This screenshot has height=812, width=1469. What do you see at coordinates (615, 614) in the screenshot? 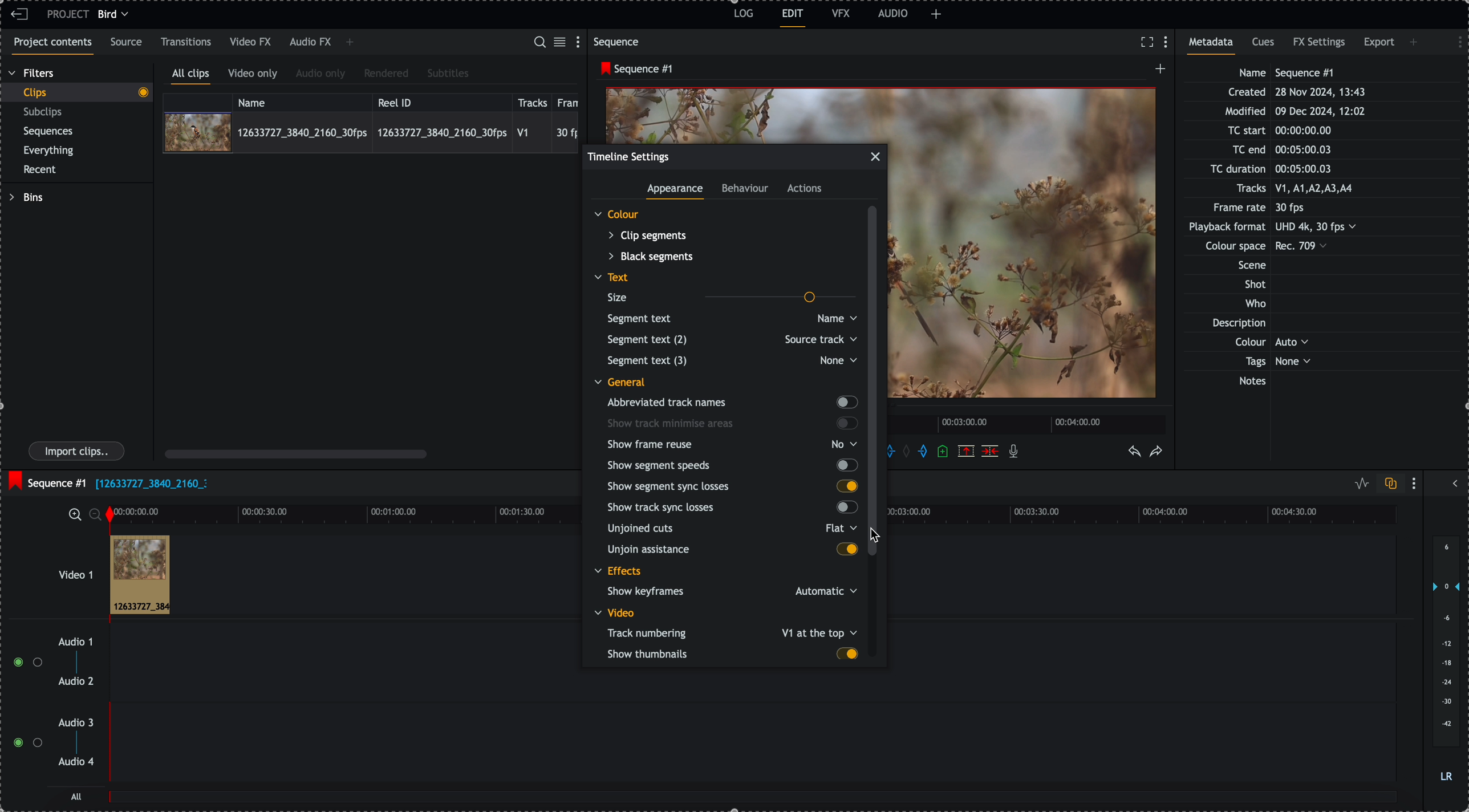
I see `video` at bounding box center [615, 614].